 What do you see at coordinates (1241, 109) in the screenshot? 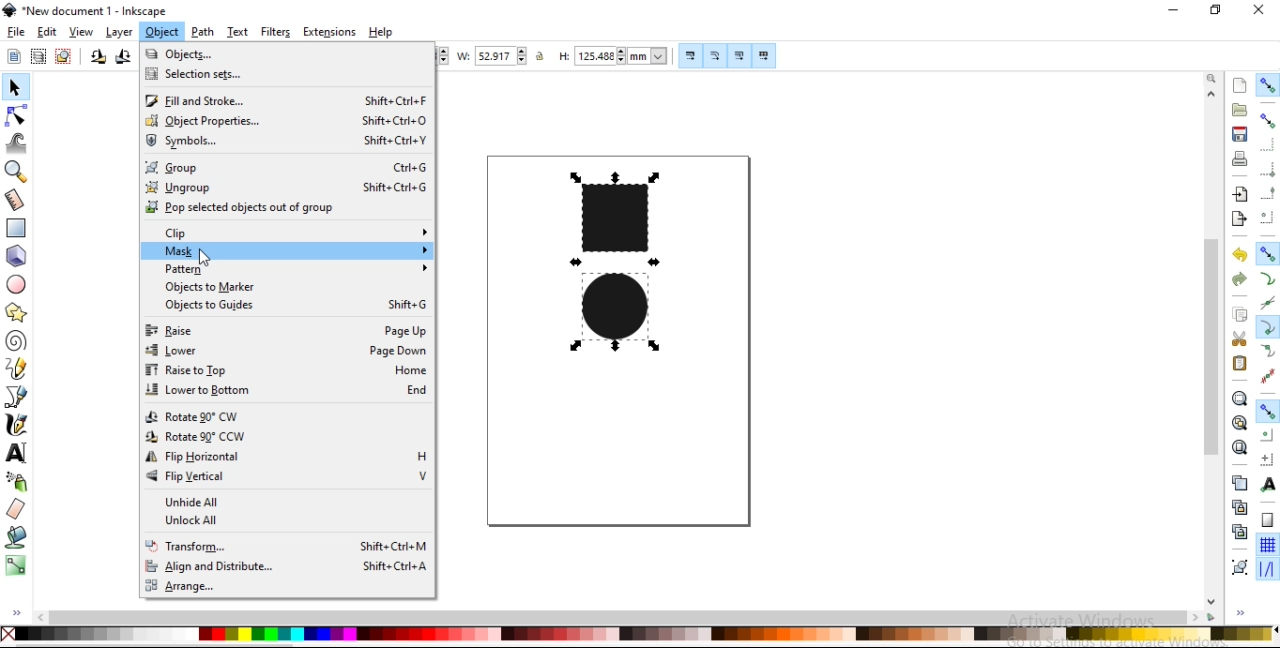
I see `open a existing document` at bounding box center [1241, 109].